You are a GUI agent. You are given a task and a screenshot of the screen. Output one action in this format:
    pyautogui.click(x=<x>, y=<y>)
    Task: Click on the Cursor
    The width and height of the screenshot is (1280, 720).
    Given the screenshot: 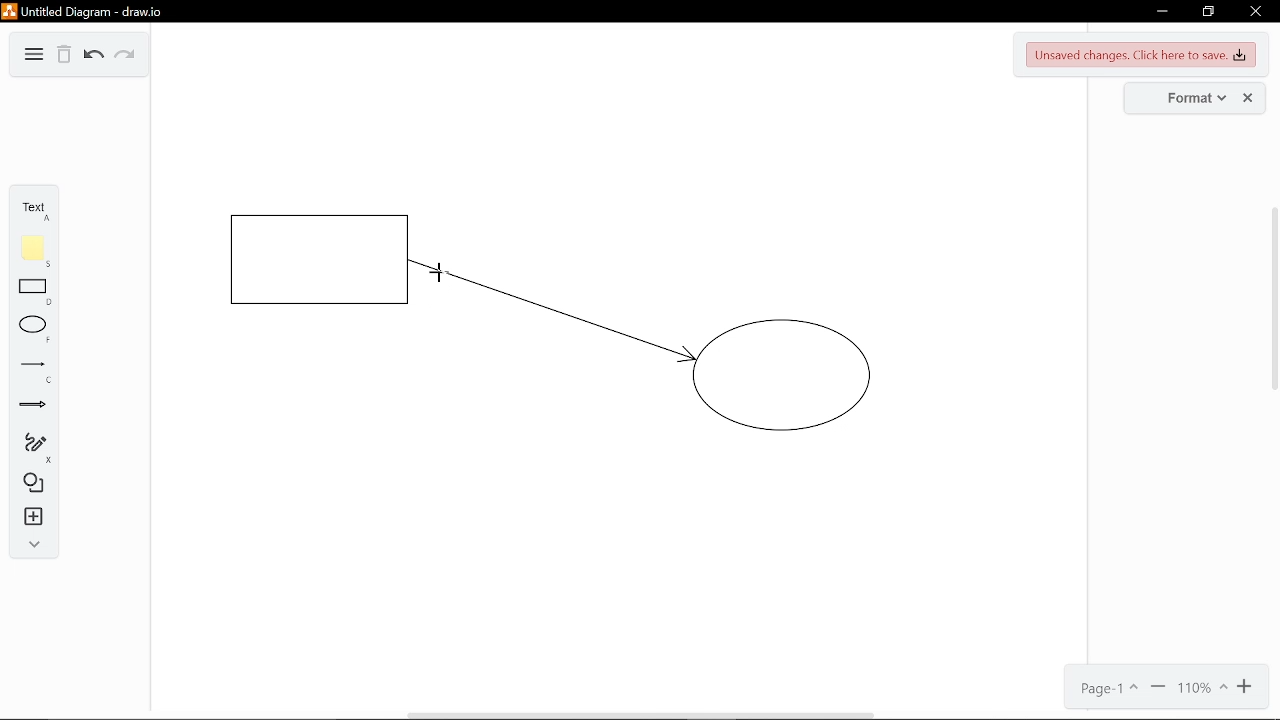 What is the action you would take?
    pyautogui.click(x=442, y=269)
    